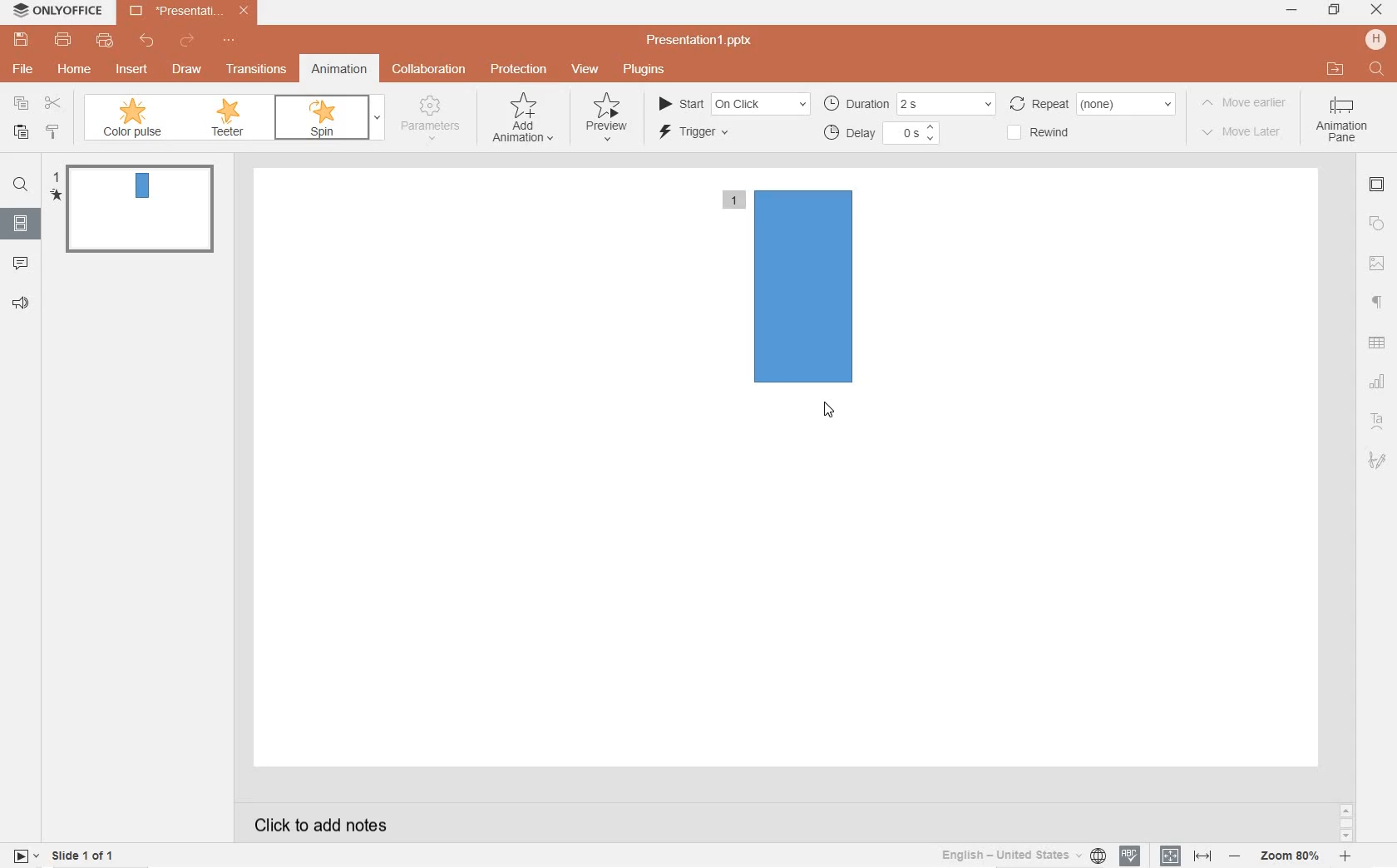 The image size is (1397, 868). I want to click on move later, so click(1242, 136).